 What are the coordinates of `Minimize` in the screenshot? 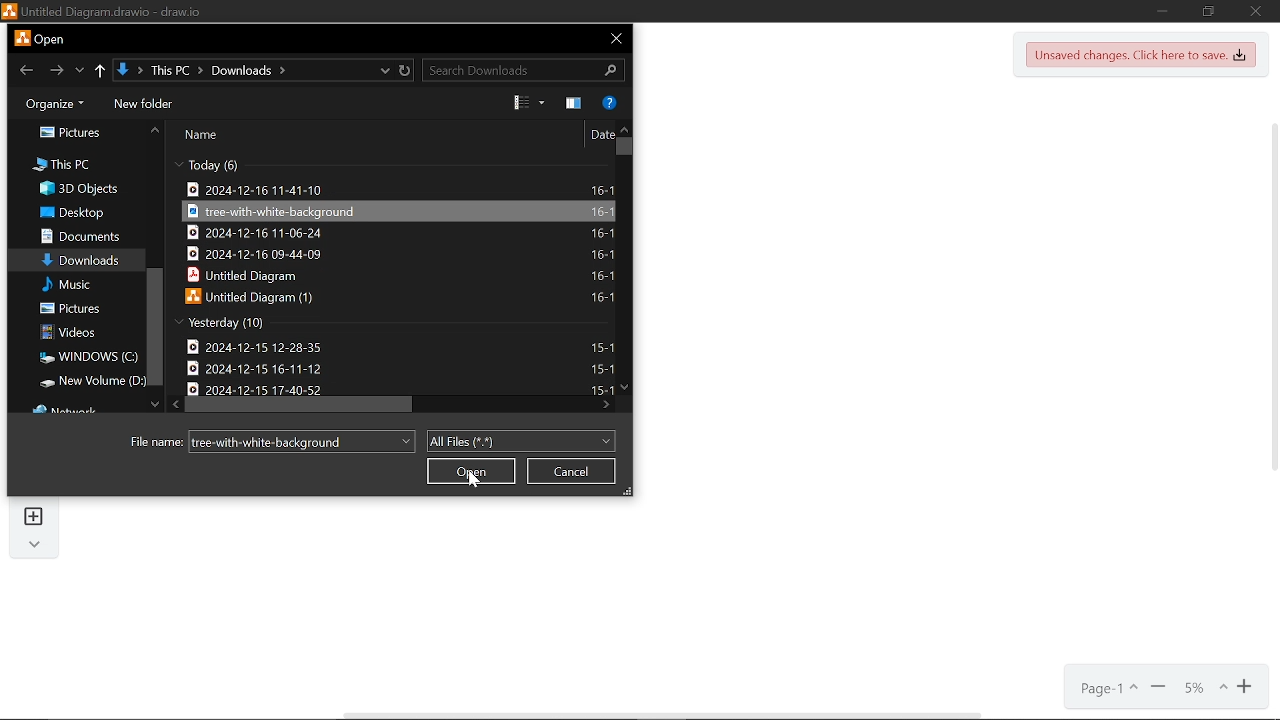 It's located at (1166, 13).